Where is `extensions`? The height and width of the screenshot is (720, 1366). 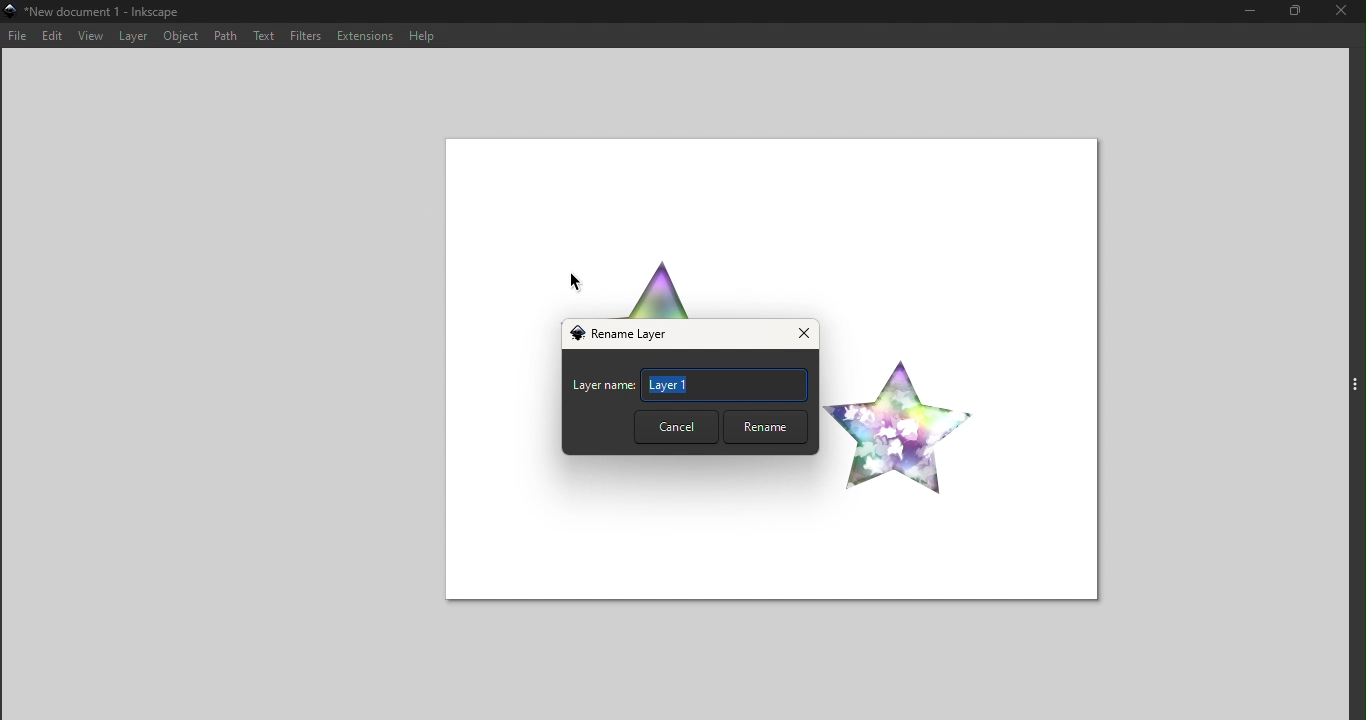
extensions is located at coordinates (363, 35).